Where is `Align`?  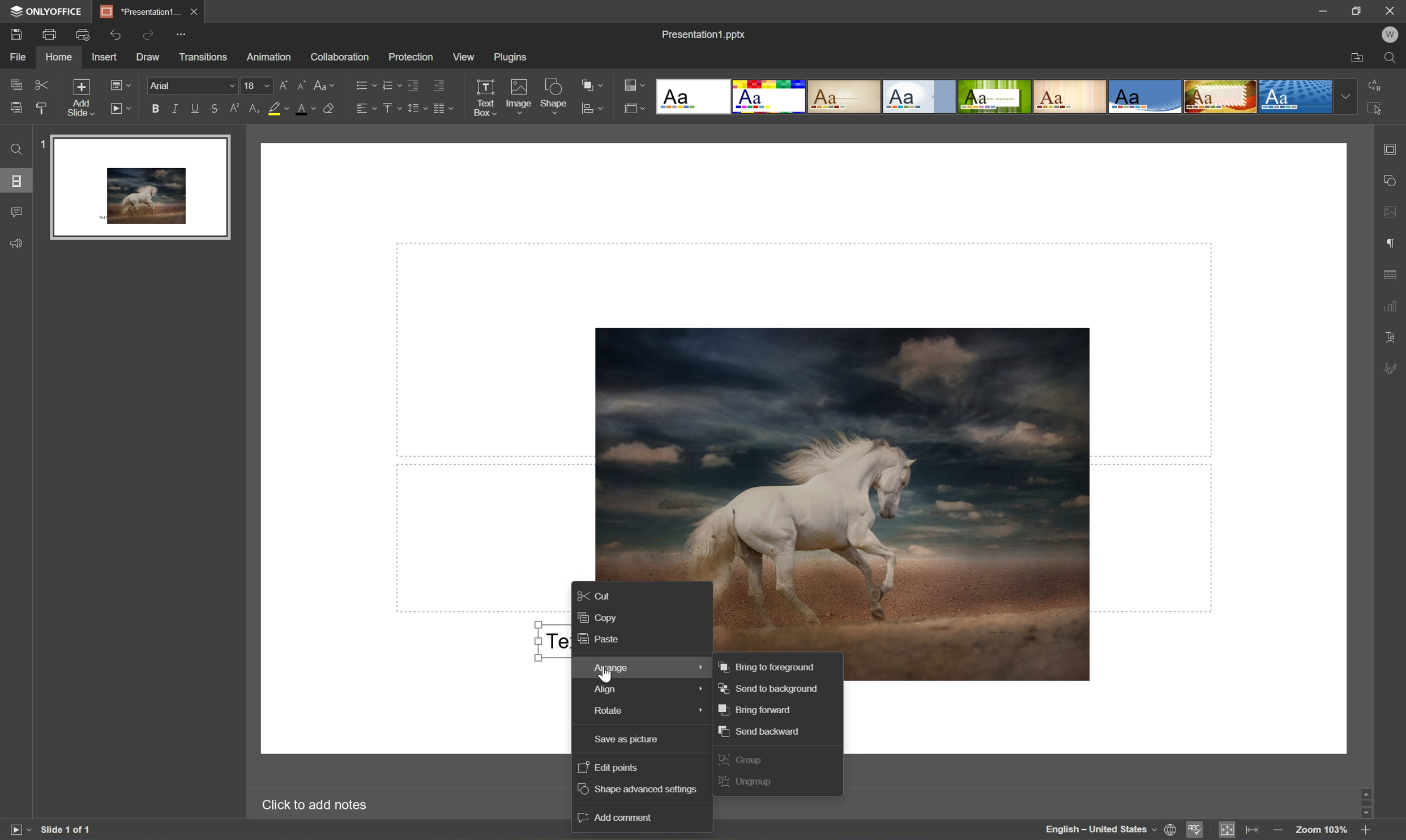 Align is located at coordinates (638, 689).